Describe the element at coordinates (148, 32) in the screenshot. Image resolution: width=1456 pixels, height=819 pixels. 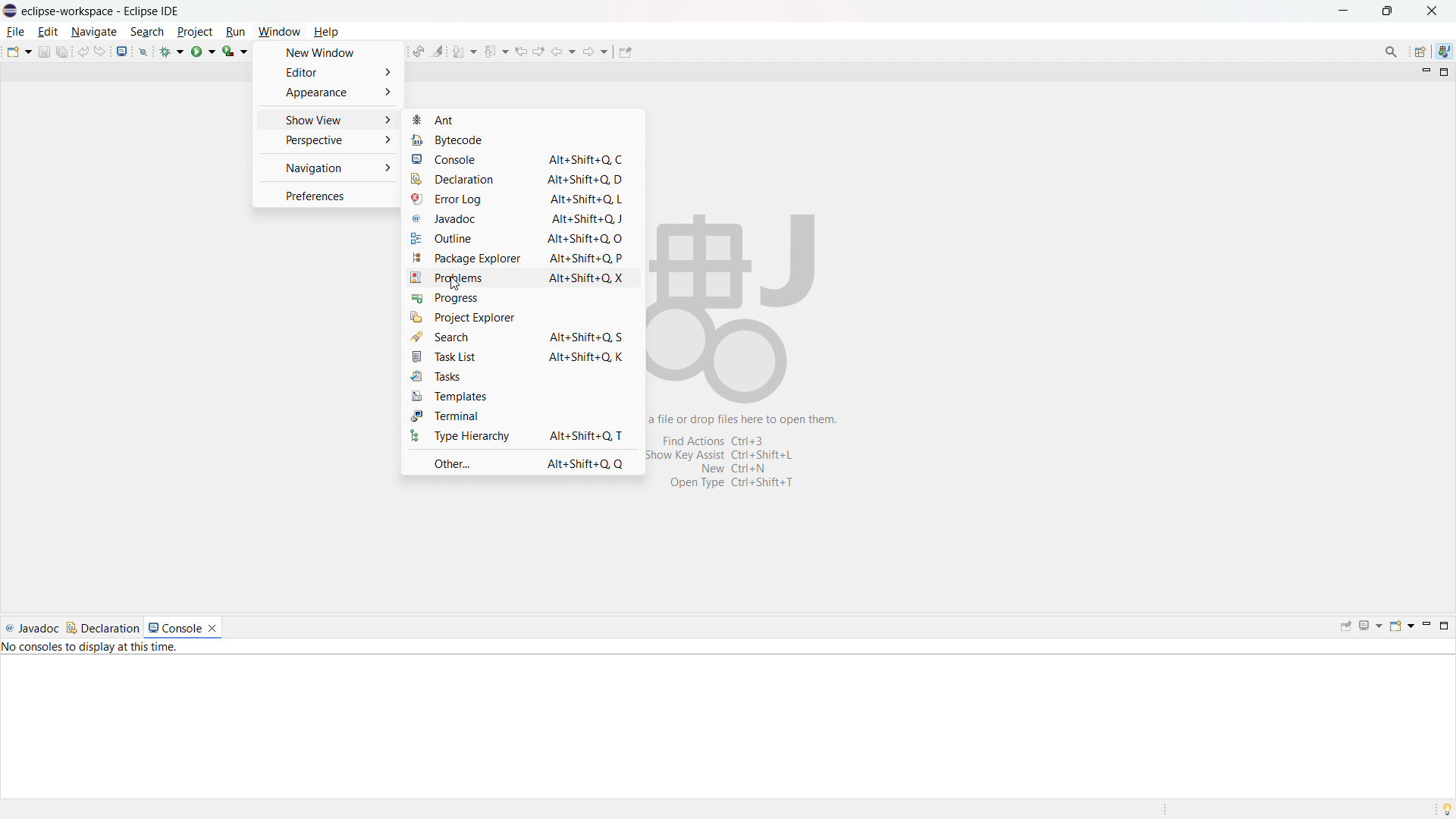
I see `search` at that location.